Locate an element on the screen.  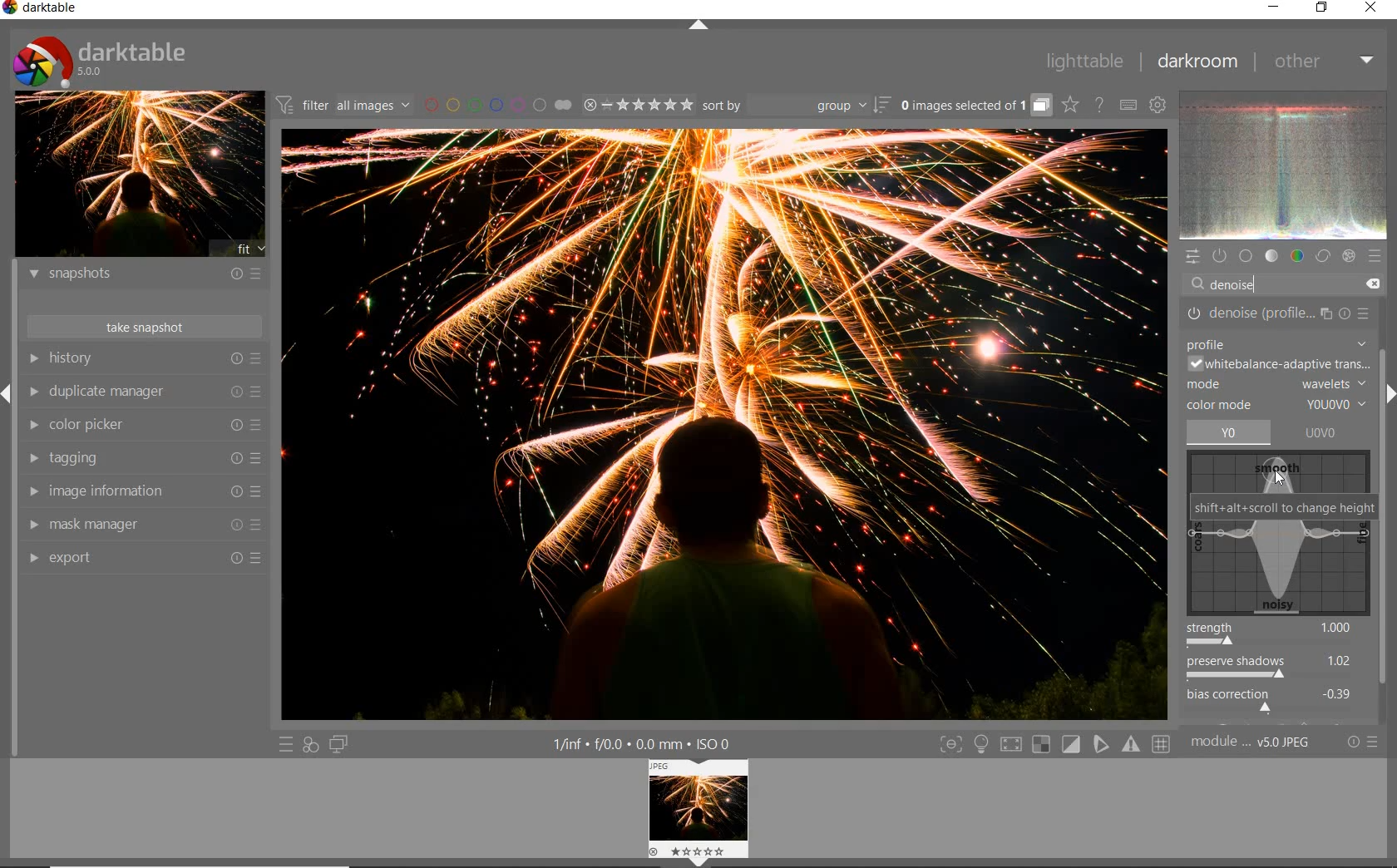
DENOISE is located at coordinates (1279, 313).